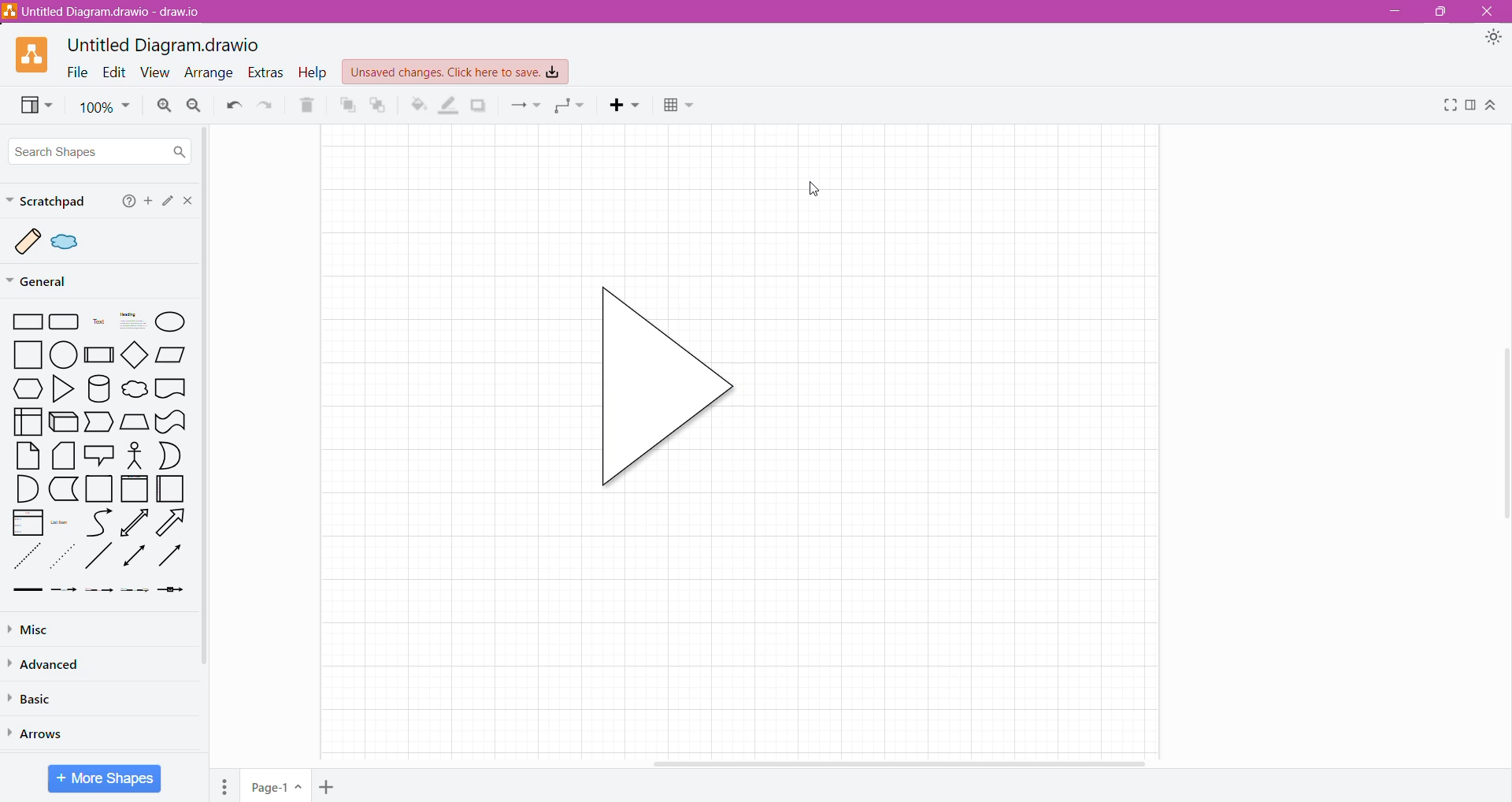 Image resolution: width=1512 pixels, height=802 pixels. Describe the element at coordinates (77, 72) in the screenshot. I see `File` at that location.